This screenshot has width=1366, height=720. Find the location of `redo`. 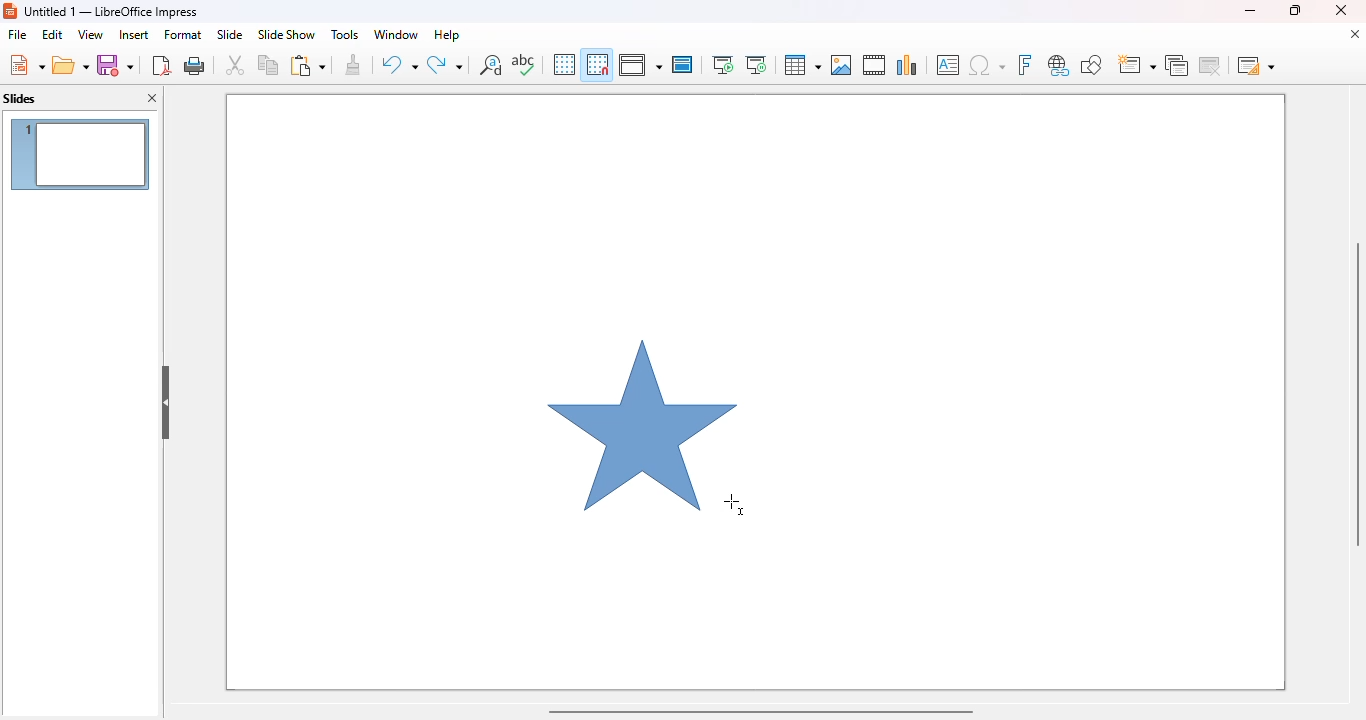

redo is located at coordinates (445, 65).